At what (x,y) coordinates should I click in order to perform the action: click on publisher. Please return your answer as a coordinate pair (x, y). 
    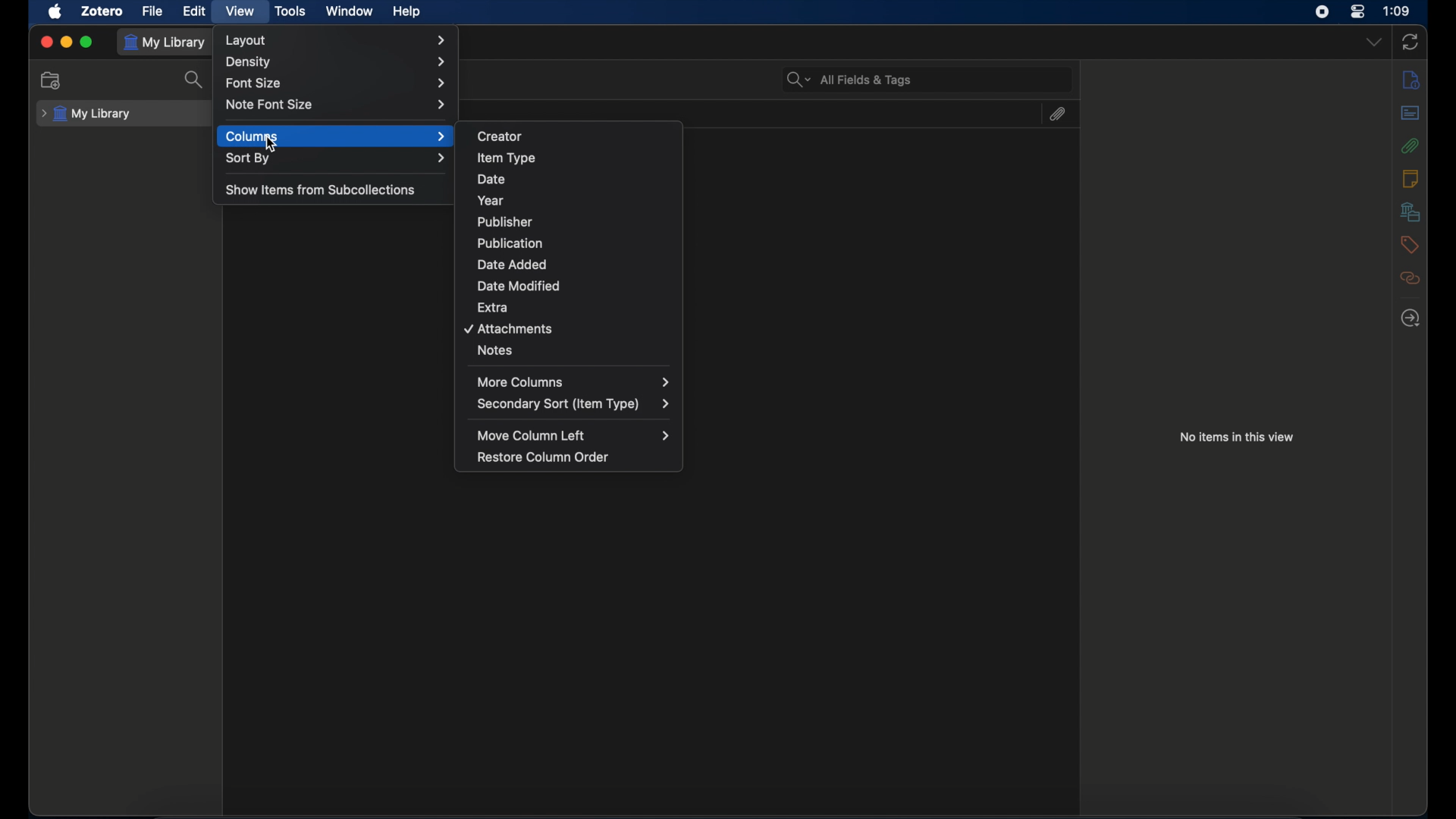
    Looking at the image, I should click on (506, 222).